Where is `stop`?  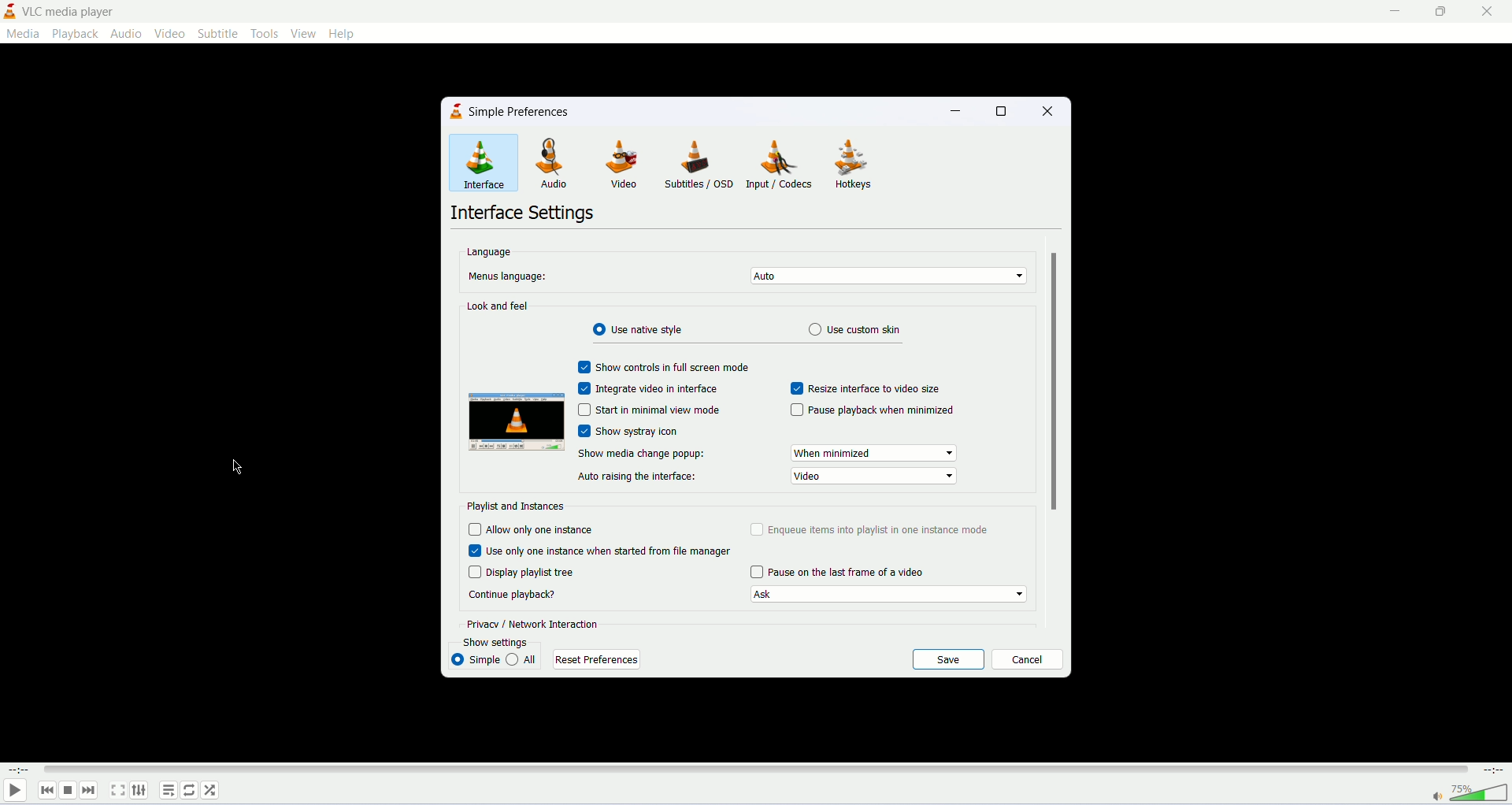 stop is located at coordinates (67, 790).